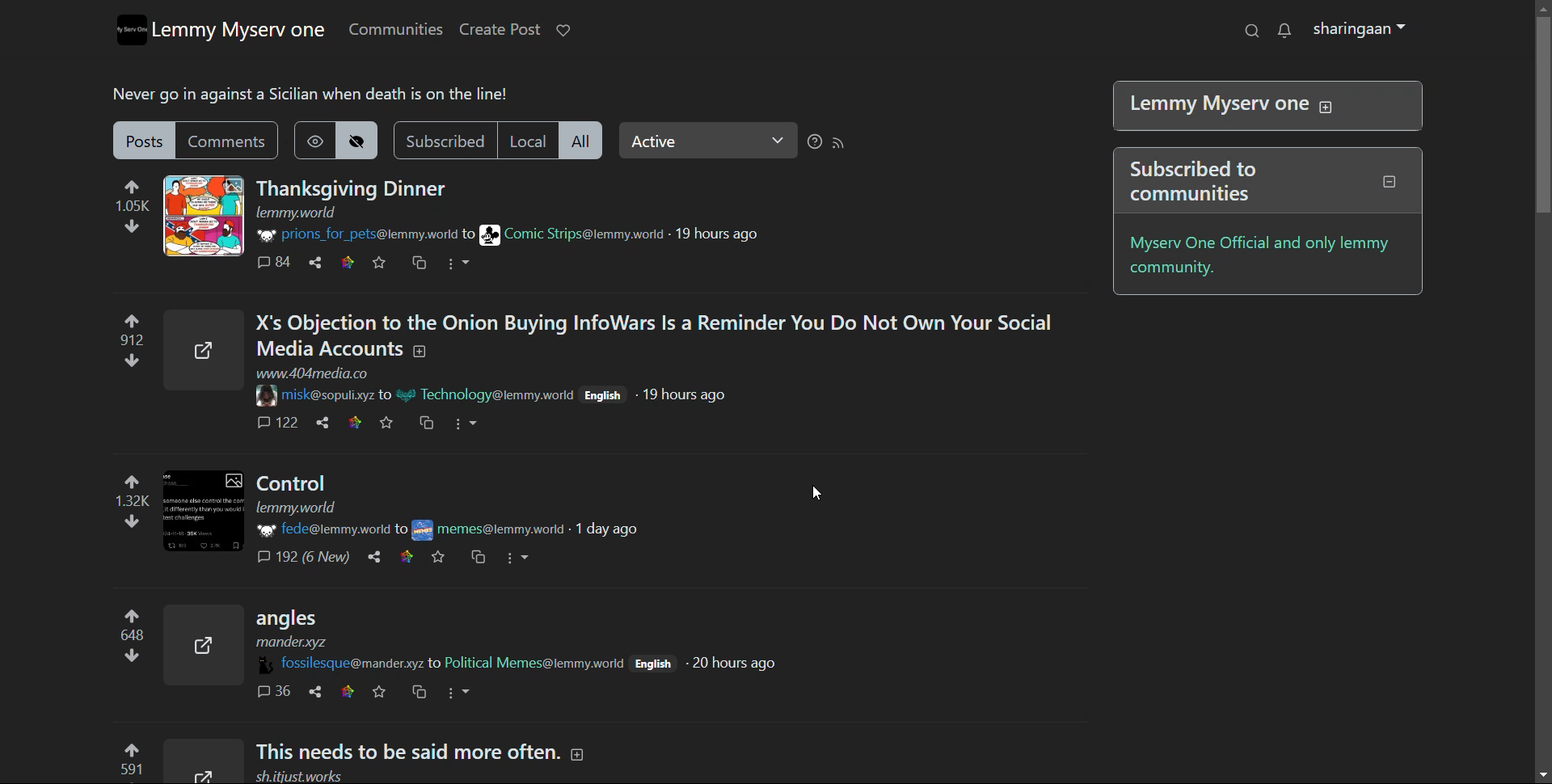 The image size is (1552, 784). I want to click on myserv one official and only lemmy community, so click(1263, 256).